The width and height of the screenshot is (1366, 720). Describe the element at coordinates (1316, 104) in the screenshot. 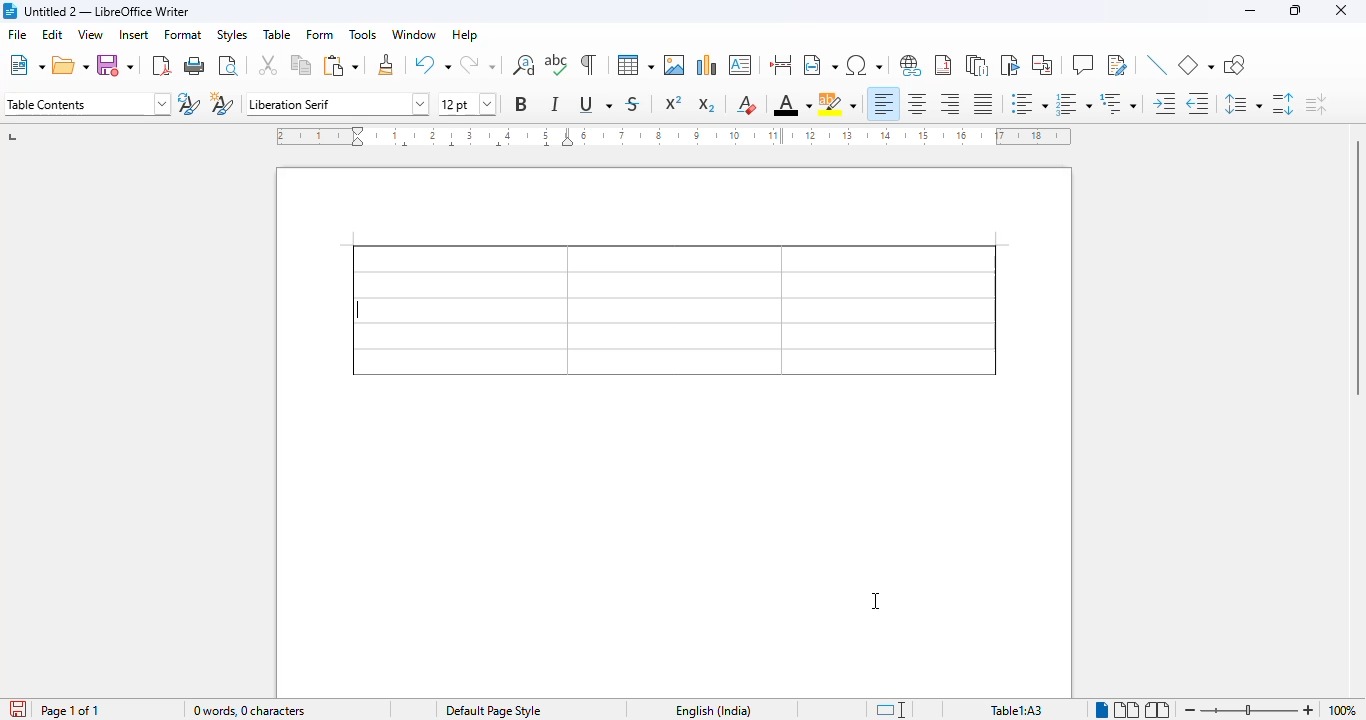

I see `decrease paragraph spacing` at that location.